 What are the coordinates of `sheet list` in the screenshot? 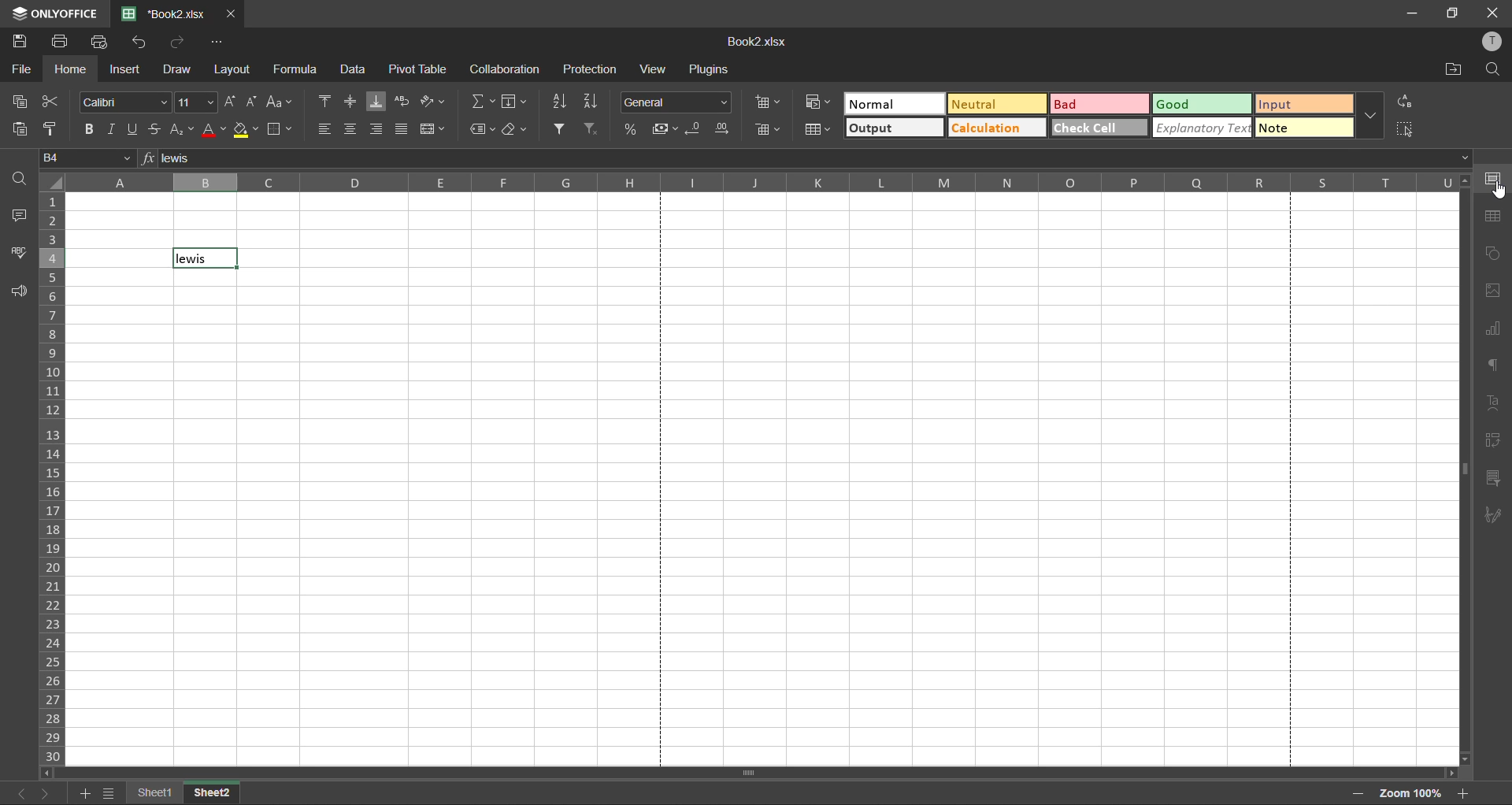 It's located at (109, 793).